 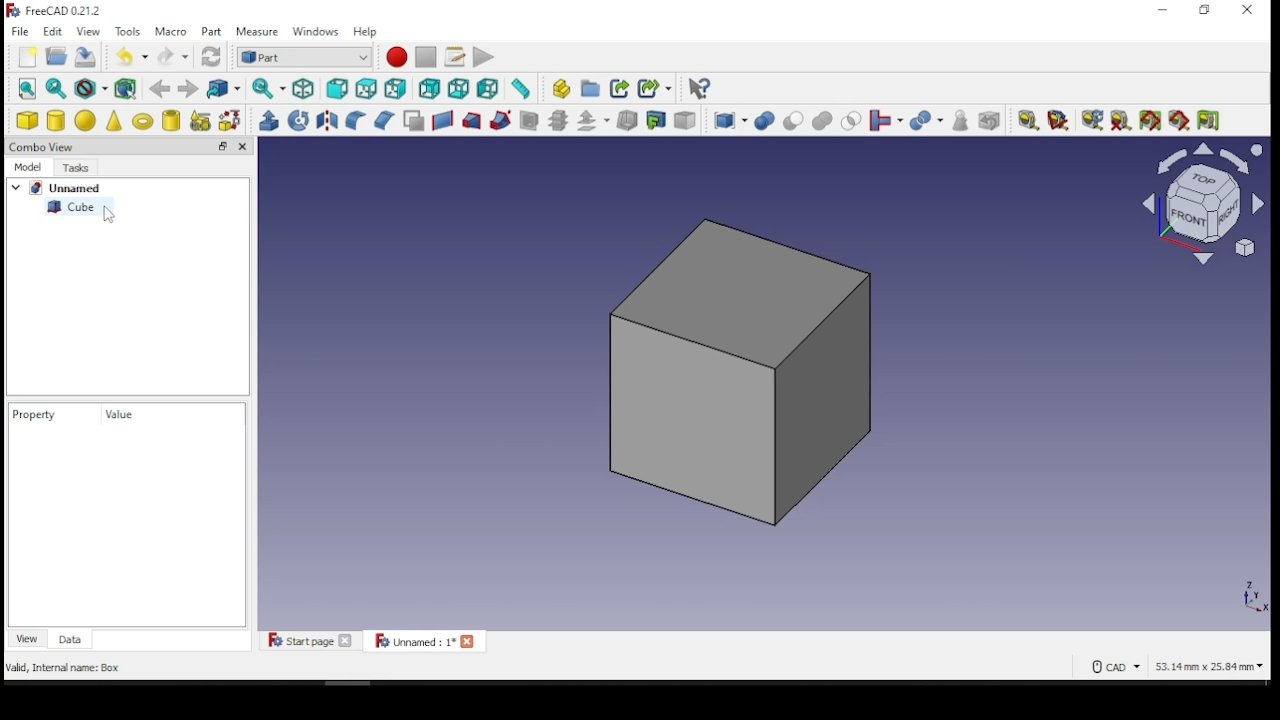 I want to click on switch between workbenches, so click(x=305, y=58).